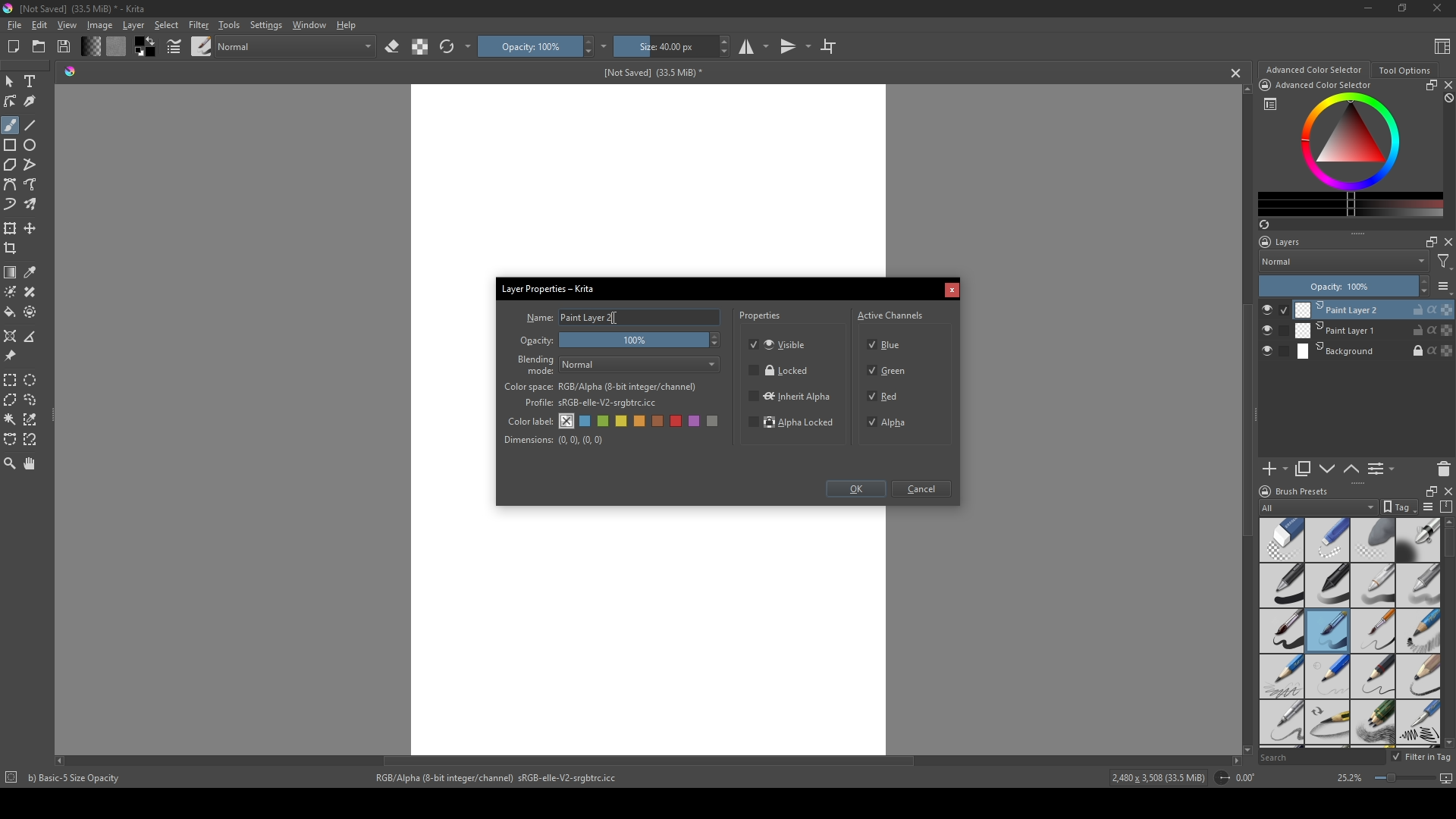  I want to click on check button, so click(1274, 352).